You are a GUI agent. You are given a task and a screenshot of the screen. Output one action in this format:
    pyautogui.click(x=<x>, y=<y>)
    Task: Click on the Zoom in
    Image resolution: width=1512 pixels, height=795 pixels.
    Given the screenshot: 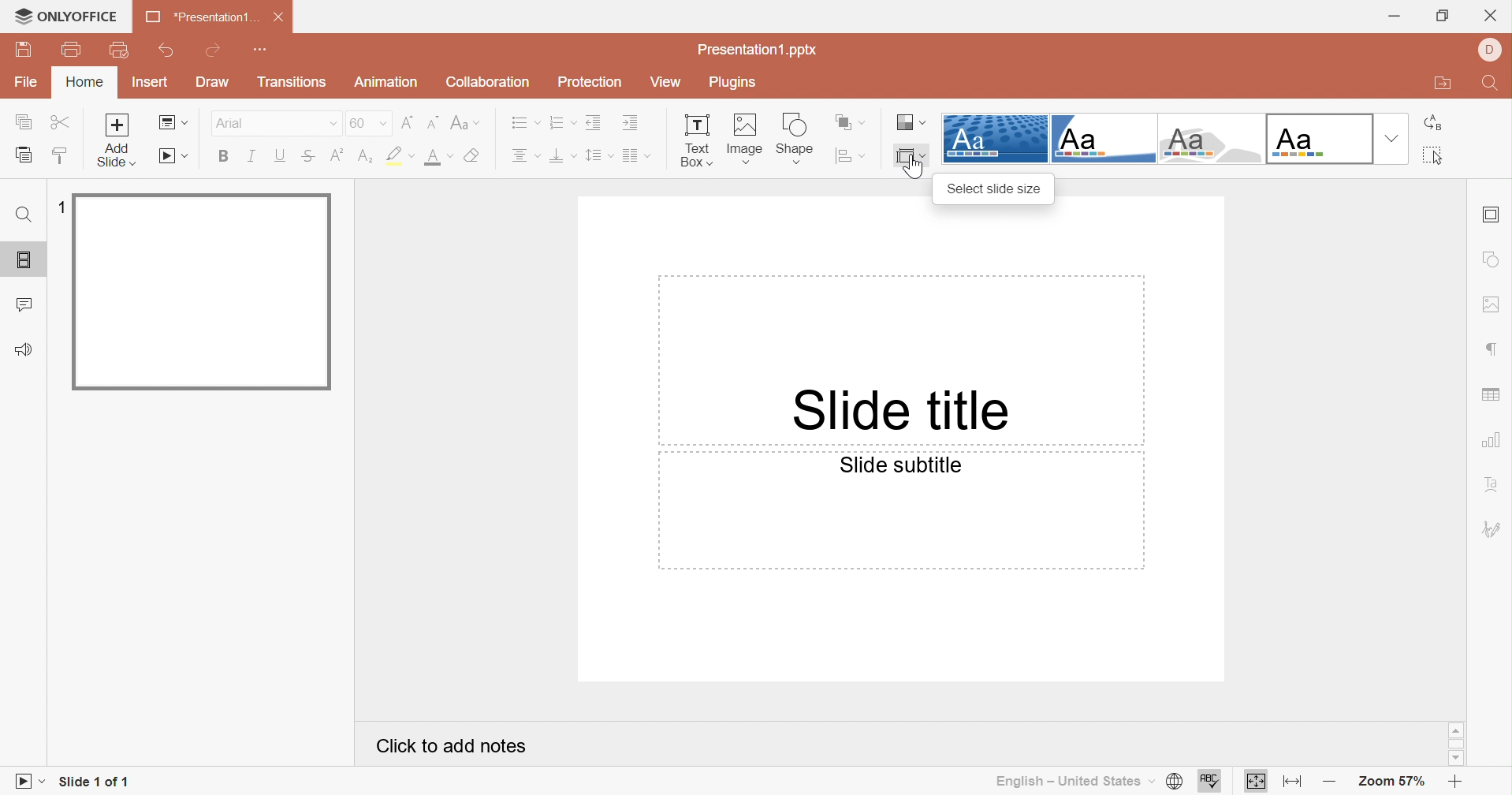 What is the action you would take?
    pyautogui.click(x=1332, y=784)
    